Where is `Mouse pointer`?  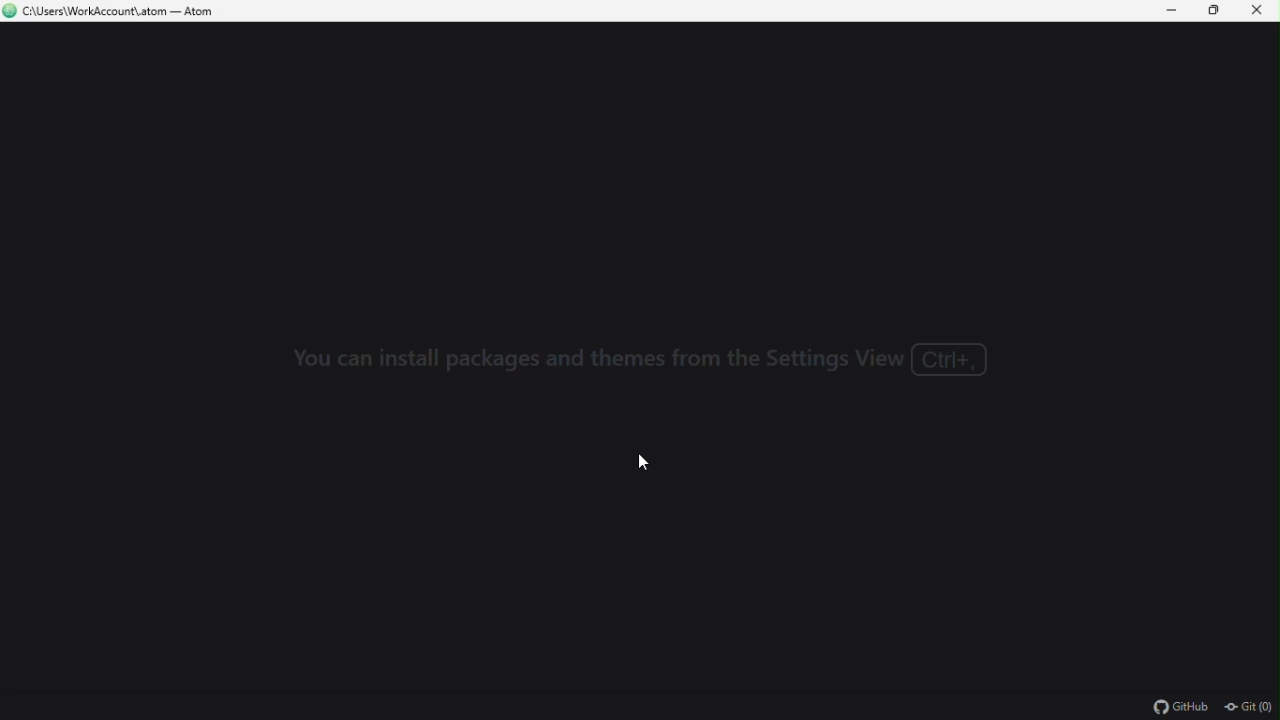 Mouse pointer is located at coordinates (647, 465).